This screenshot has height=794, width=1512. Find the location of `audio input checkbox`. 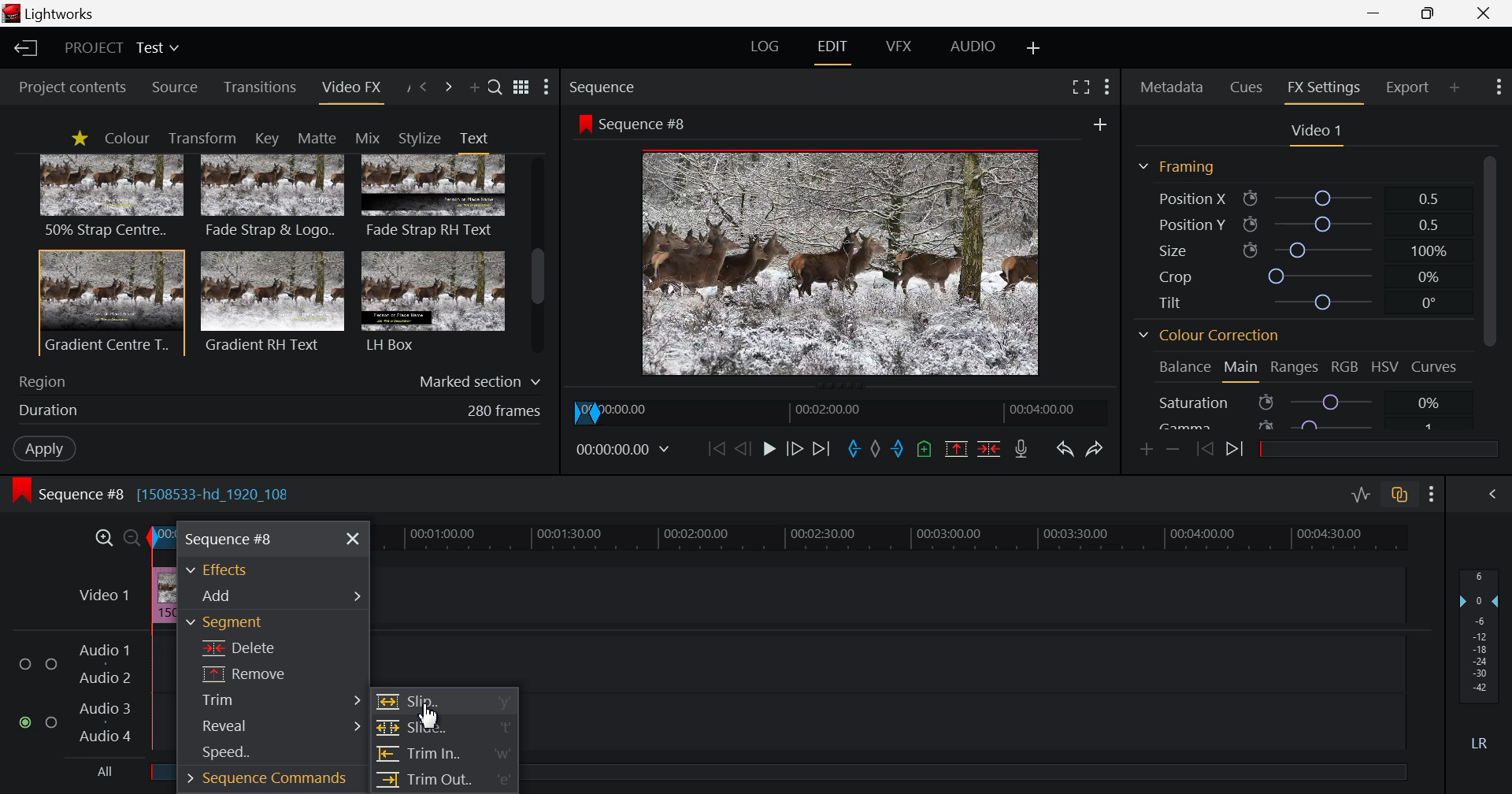

audio input checkbox is located at coordinates (35, 696).